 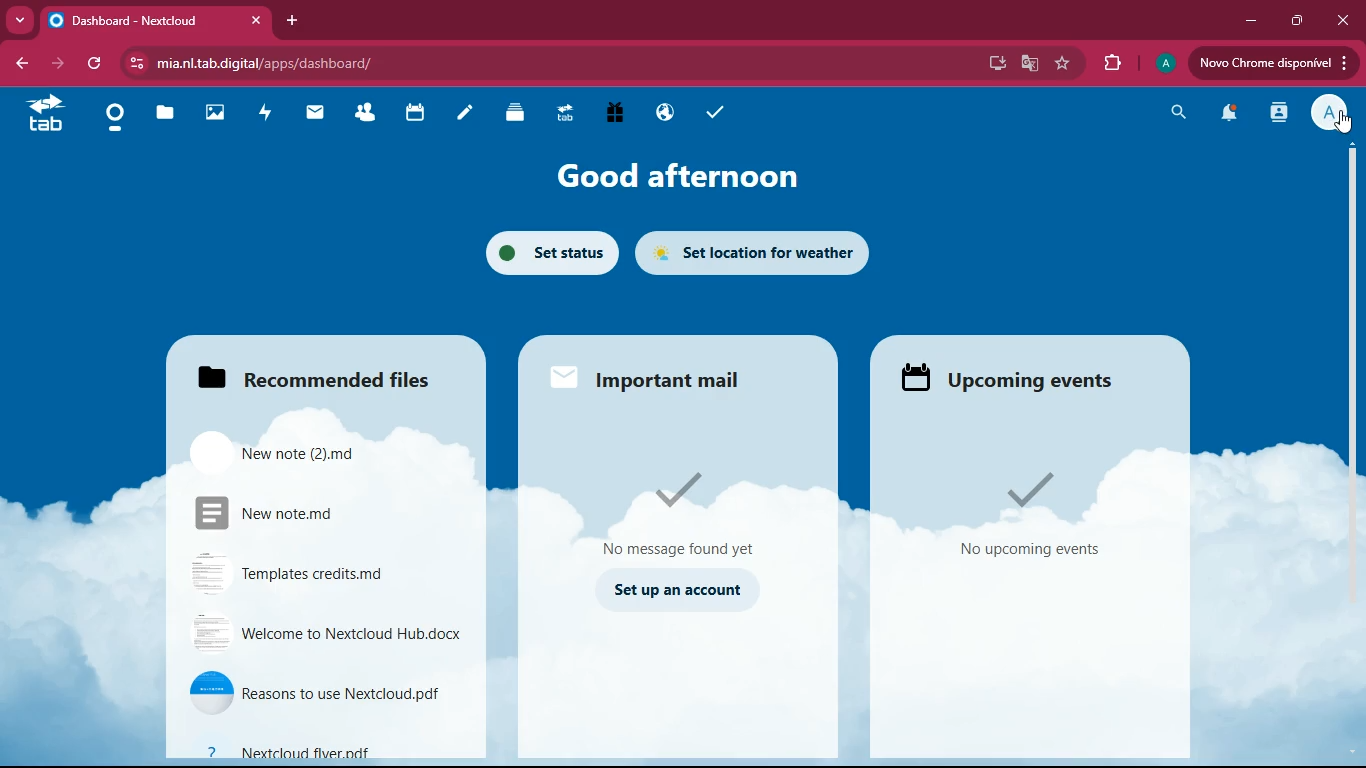 What do you see at coordinates (756, 252) in the screenshot?
I see `set location` at bounding box center [756, 252].